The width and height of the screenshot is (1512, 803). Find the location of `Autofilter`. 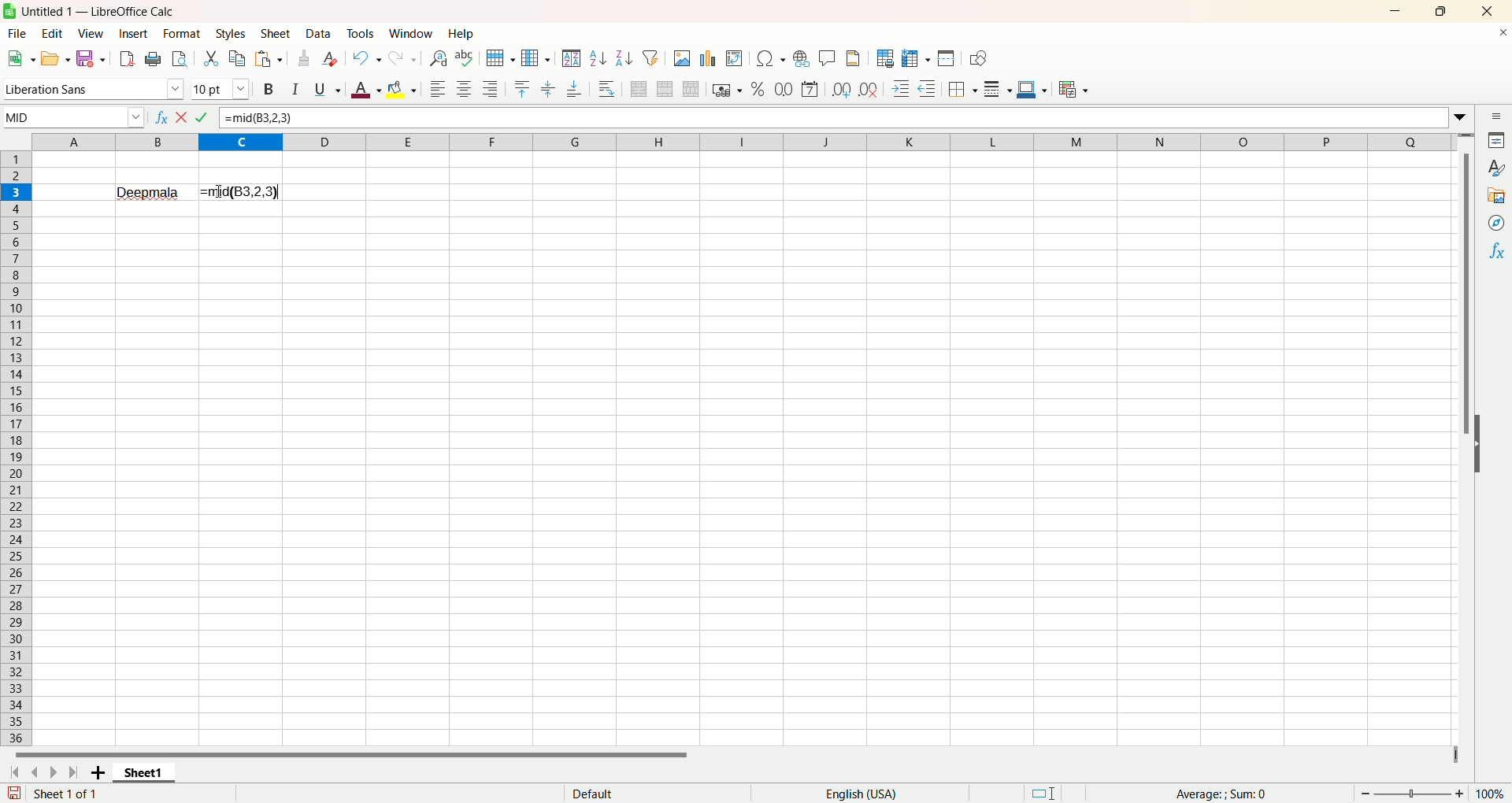

Autofilter is located at coordinates (650, 57).